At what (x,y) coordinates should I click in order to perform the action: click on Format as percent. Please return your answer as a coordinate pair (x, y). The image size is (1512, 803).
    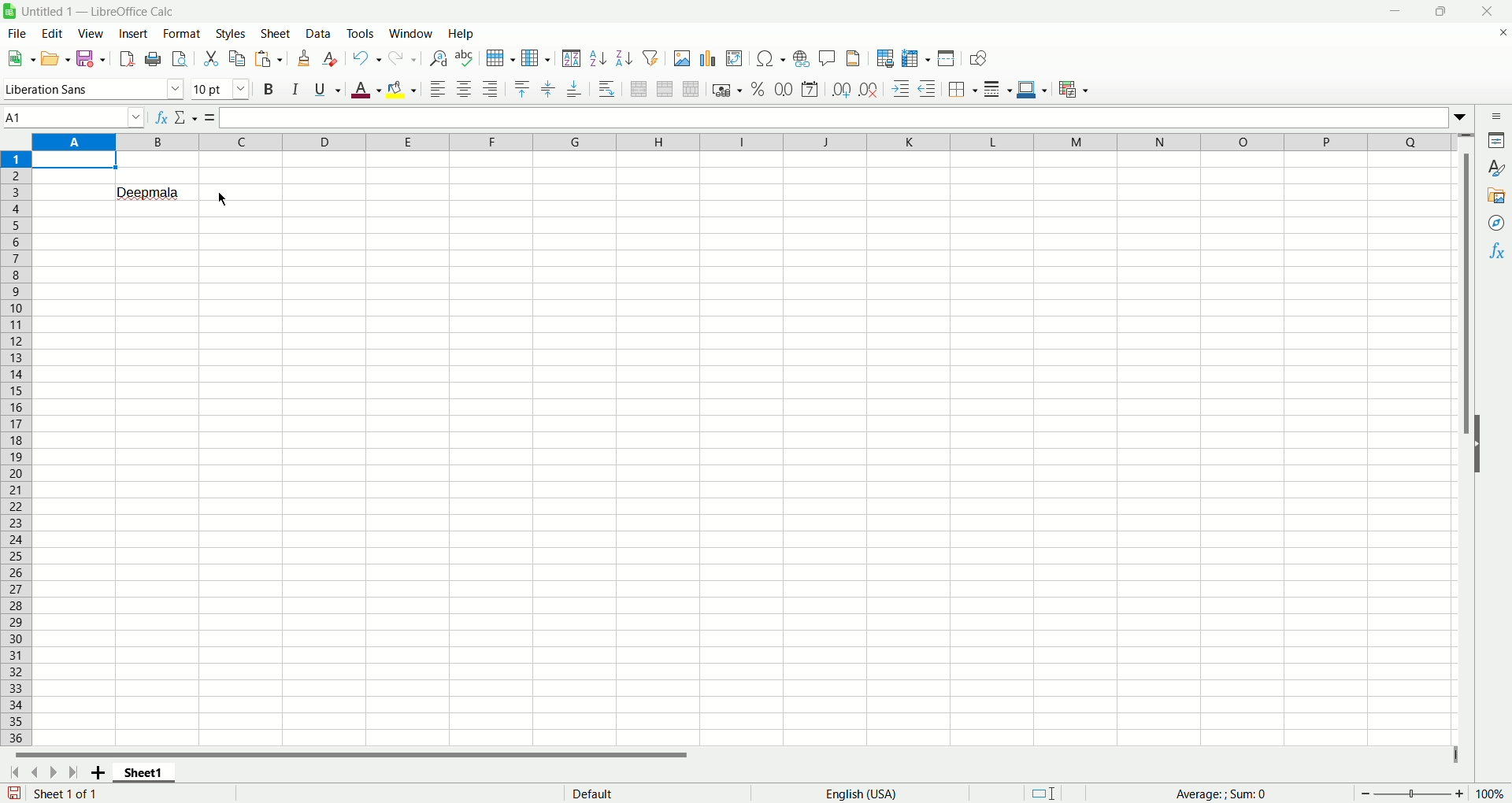
    Looking at the image, I should click on (758, 89).